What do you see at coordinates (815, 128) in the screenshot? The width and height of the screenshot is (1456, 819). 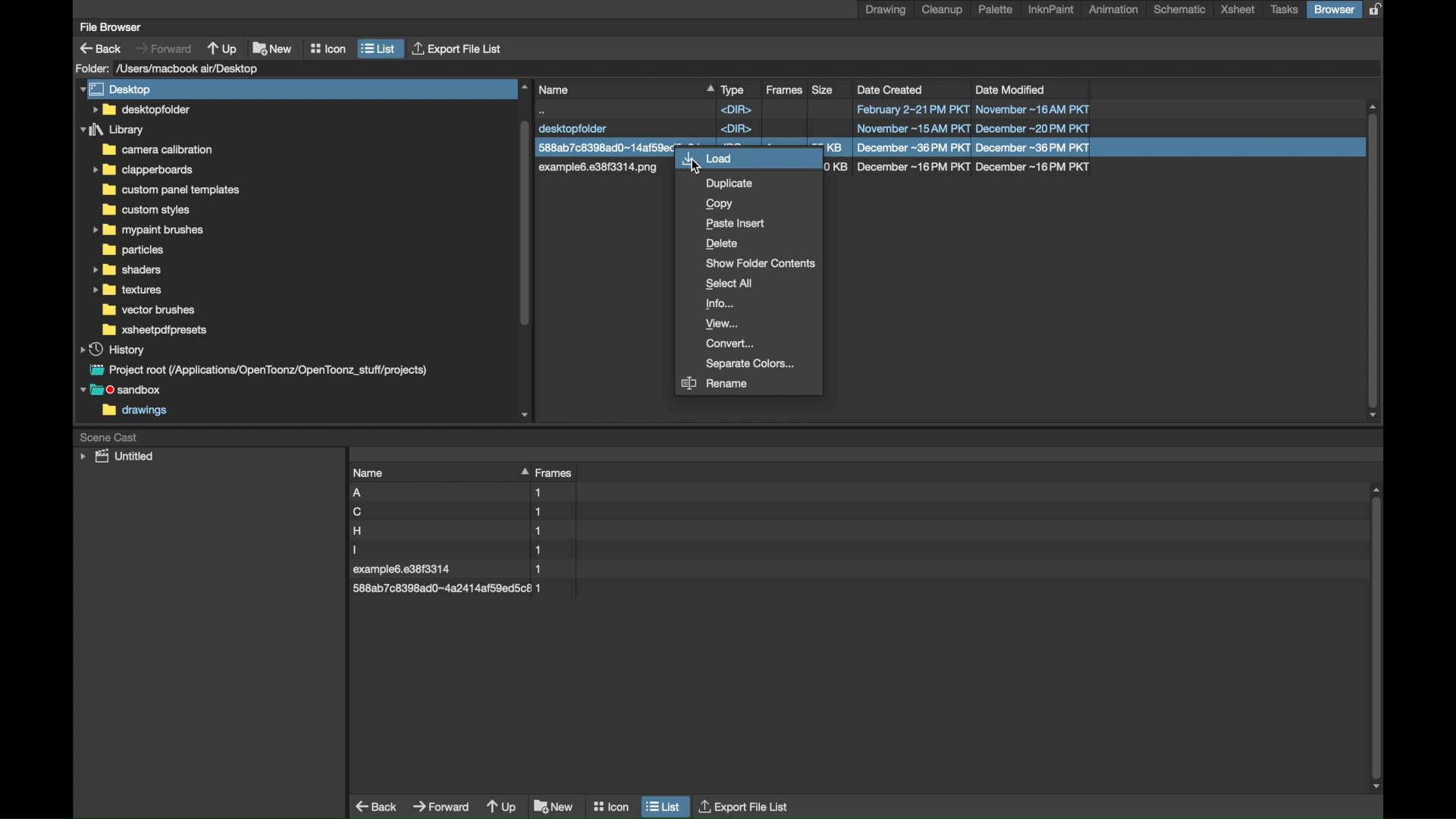 I see `file` at bounding box center [815, 128].